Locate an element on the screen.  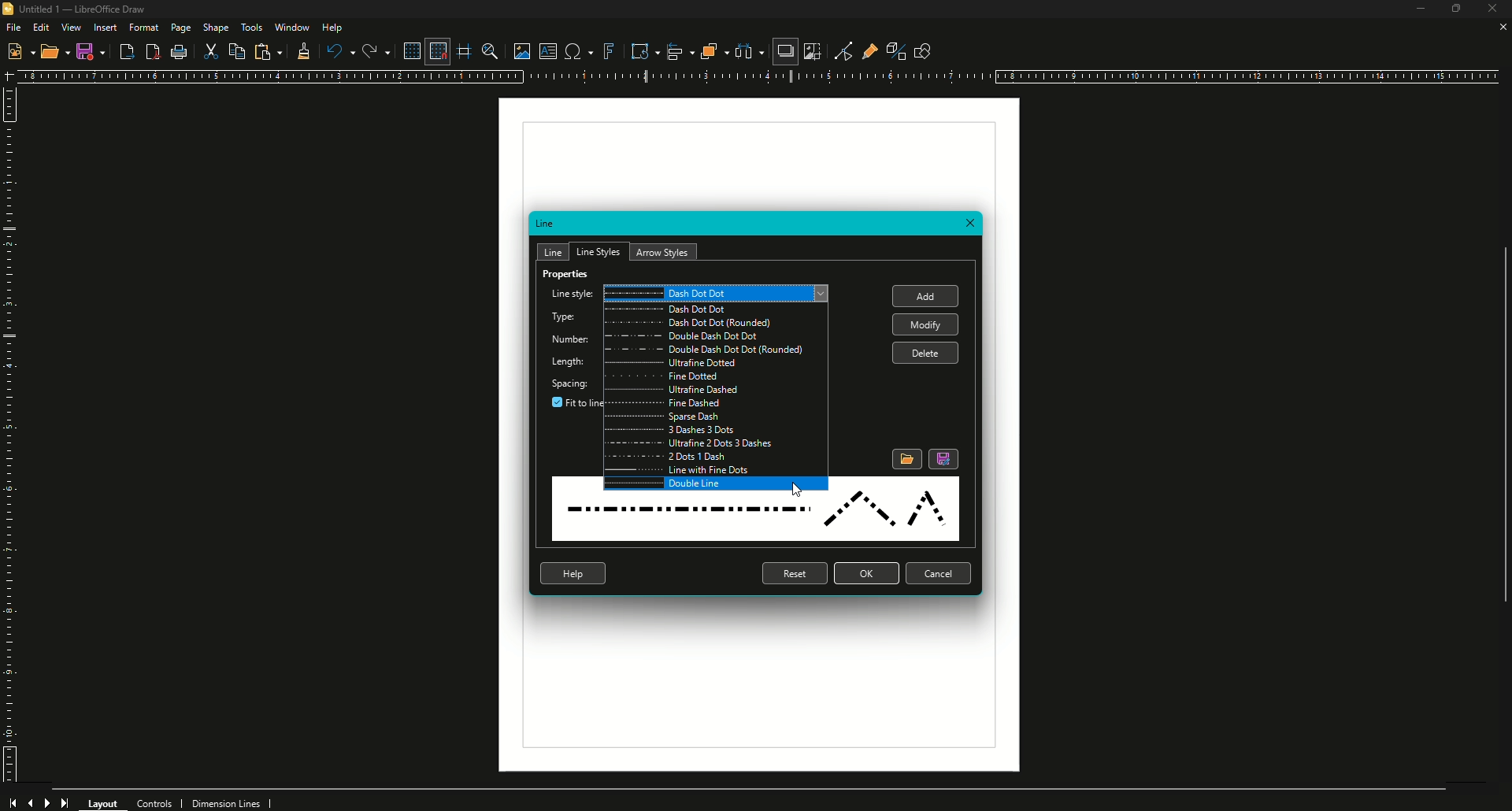
Close Sheet is located at coordinates (1500, 28).